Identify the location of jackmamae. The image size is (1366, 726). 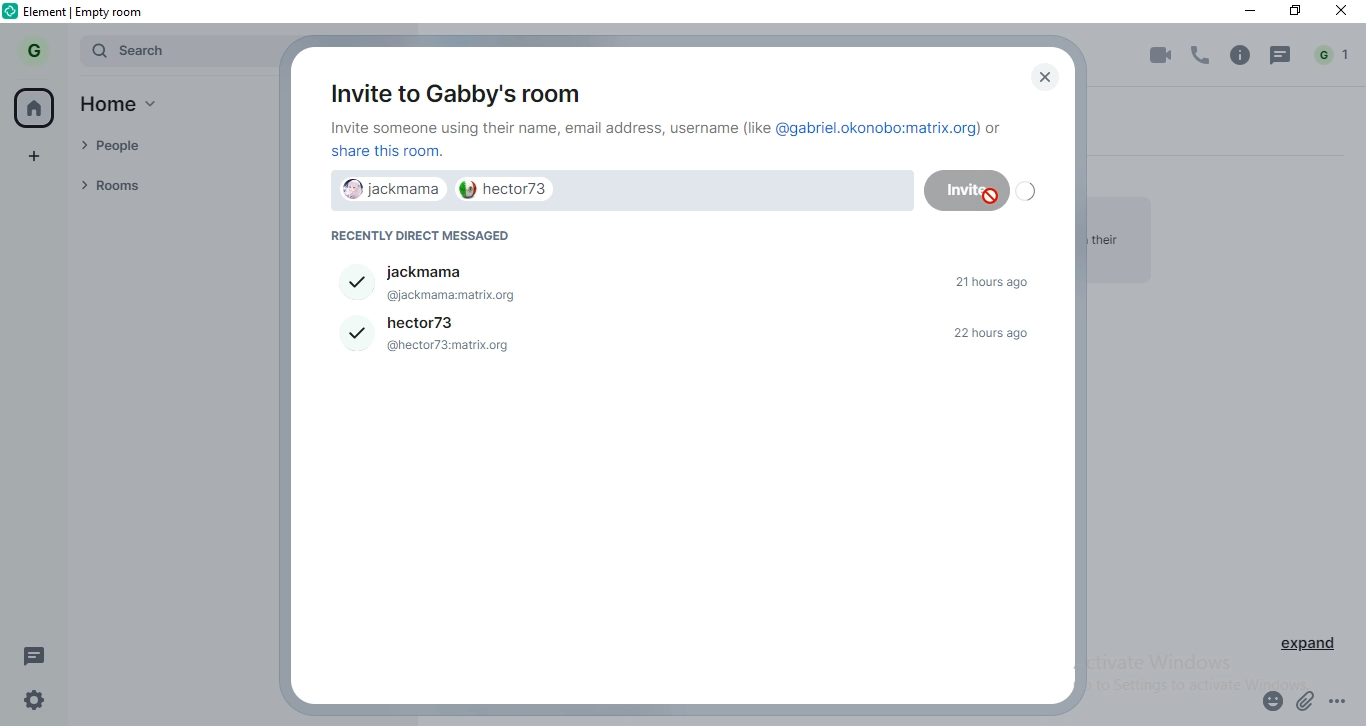
(384, 191).